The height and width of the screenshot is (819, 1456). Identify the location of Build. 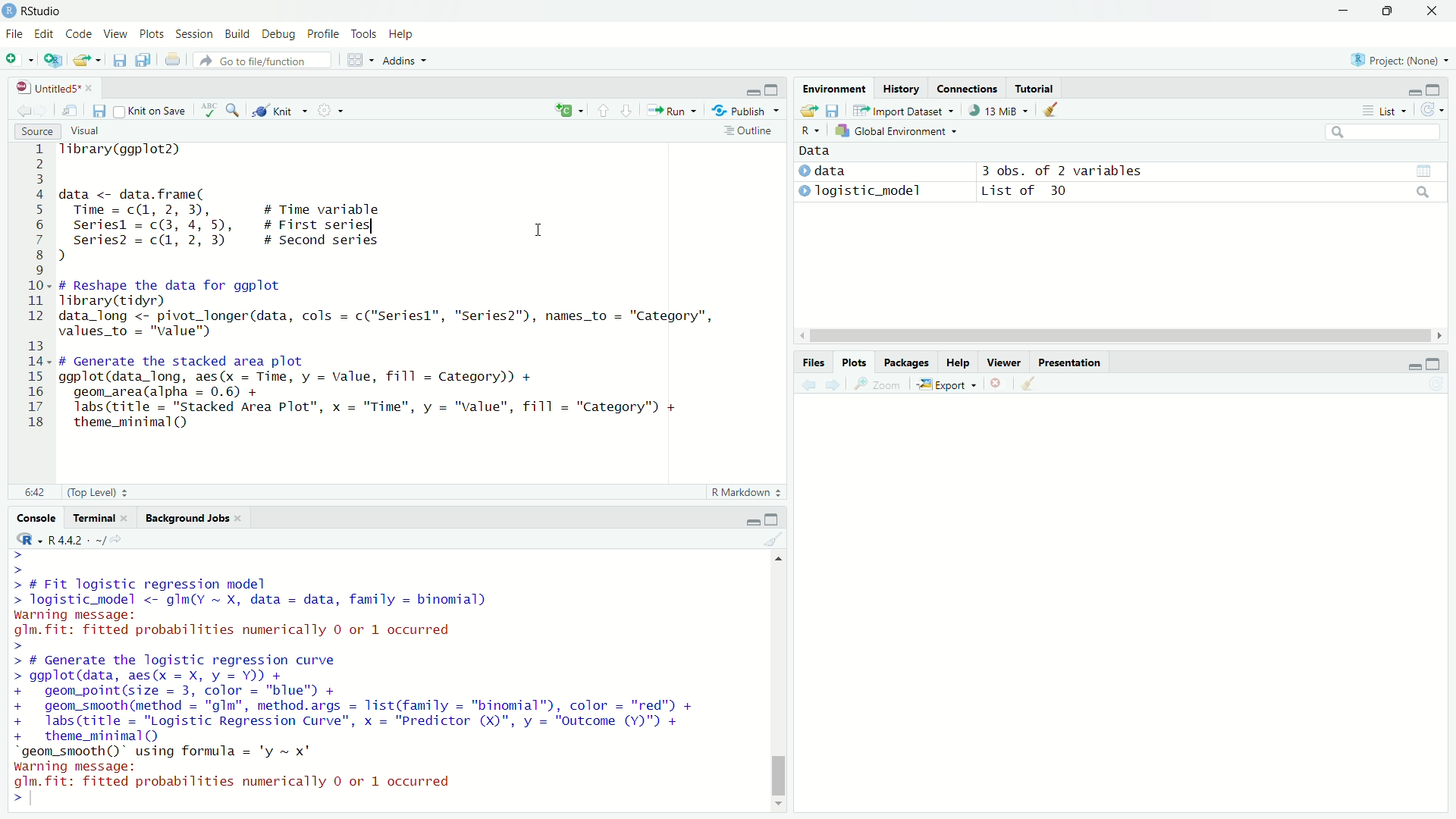
(235, 35).